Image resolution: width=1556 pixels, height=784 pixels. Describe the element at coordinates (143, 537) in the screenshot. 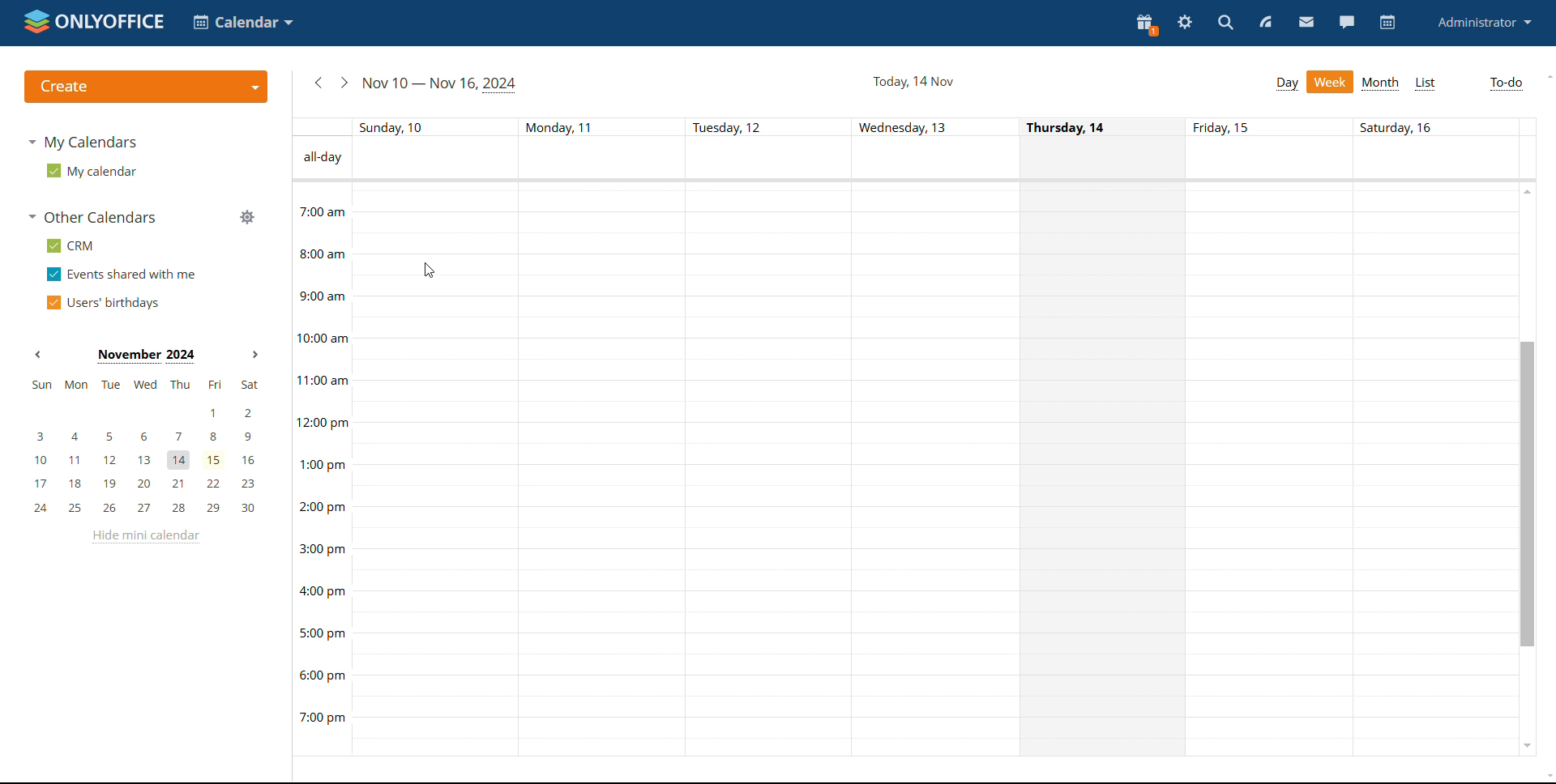

I see `hide mini calendar` at that location.